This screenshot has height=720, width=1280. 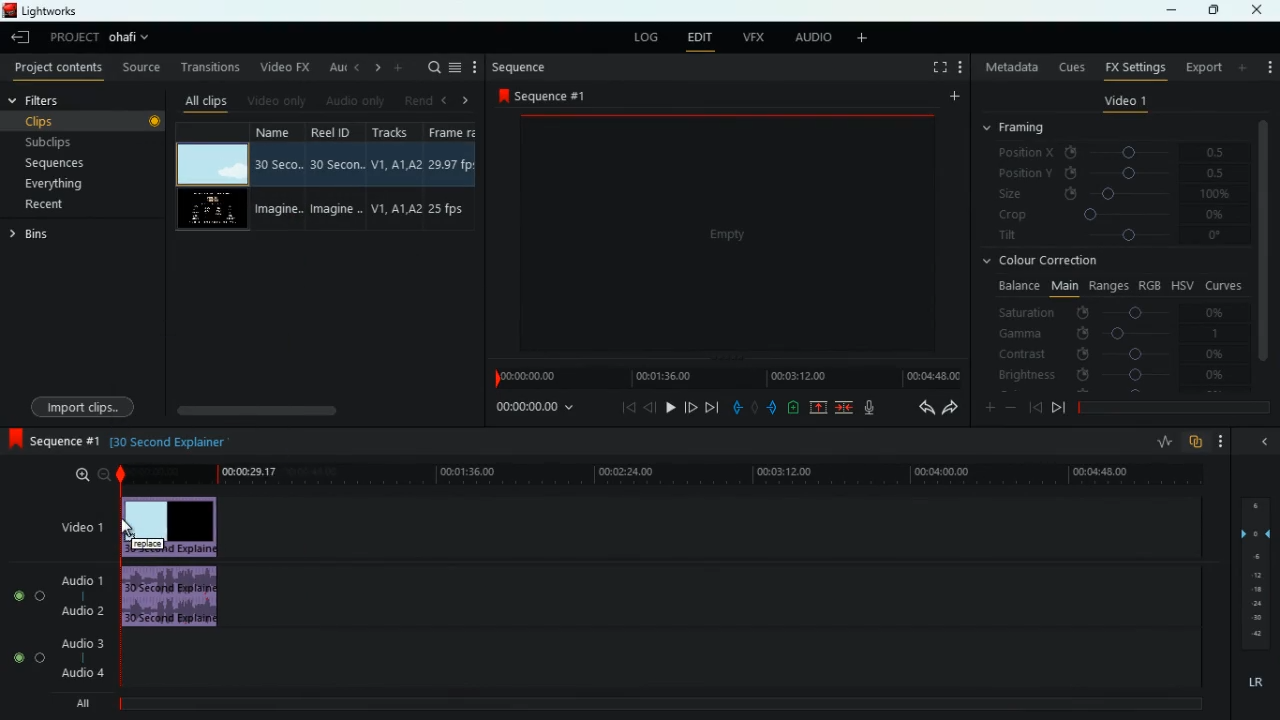 I want to click on reel id, so click(x=337, y=131).